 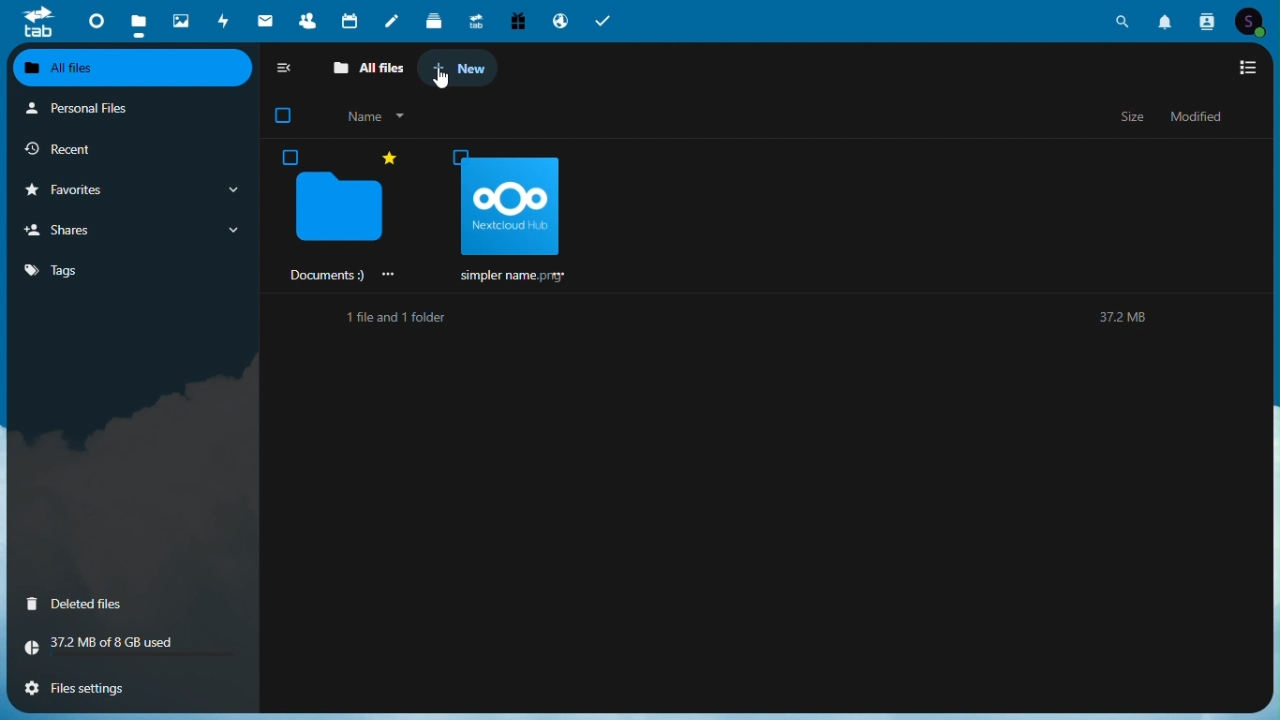 I want to click on All files, so click(x=128, y=67).